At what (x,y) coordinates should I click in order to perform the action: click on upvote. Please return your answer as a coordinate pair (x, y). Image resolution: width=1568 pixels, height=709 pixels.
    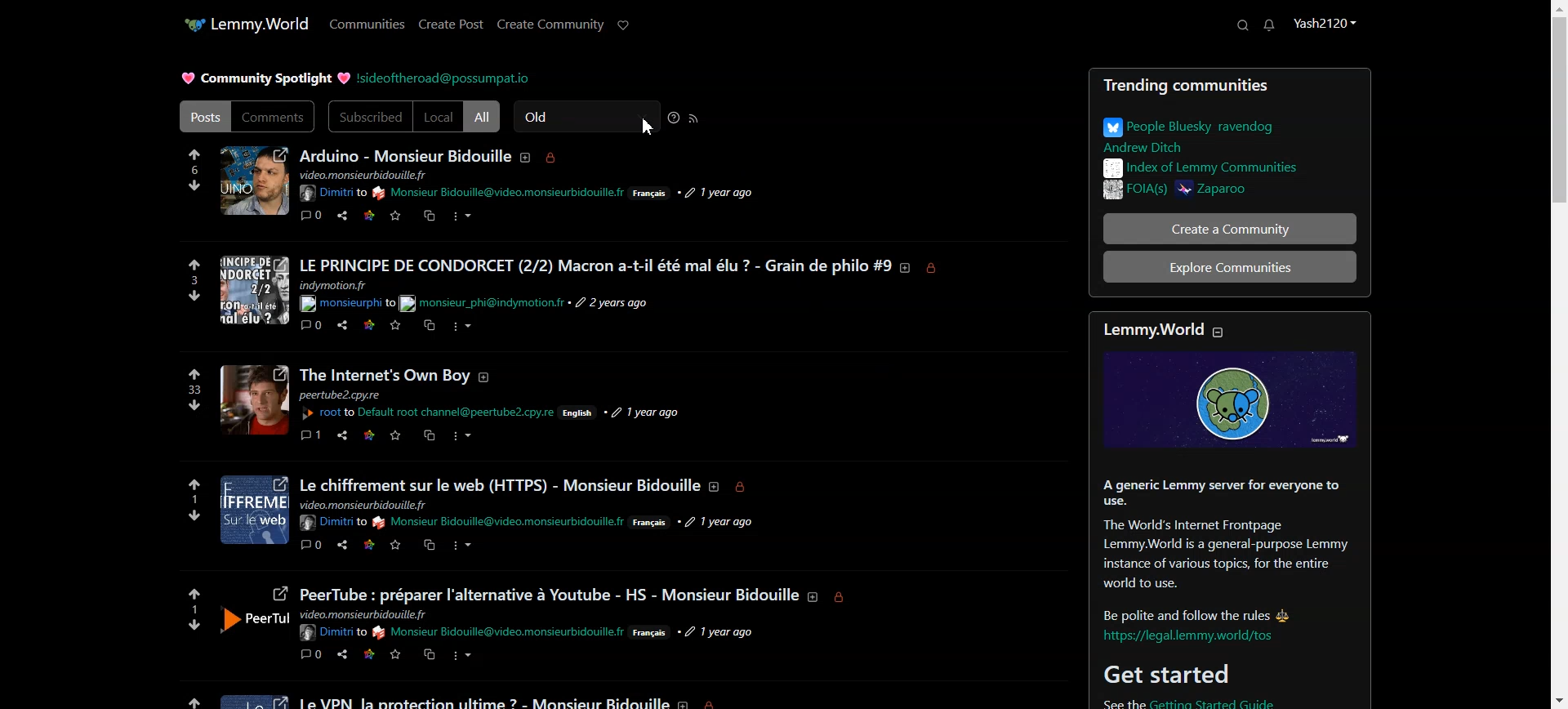
    Looking at the image, I should click on (198, 373).